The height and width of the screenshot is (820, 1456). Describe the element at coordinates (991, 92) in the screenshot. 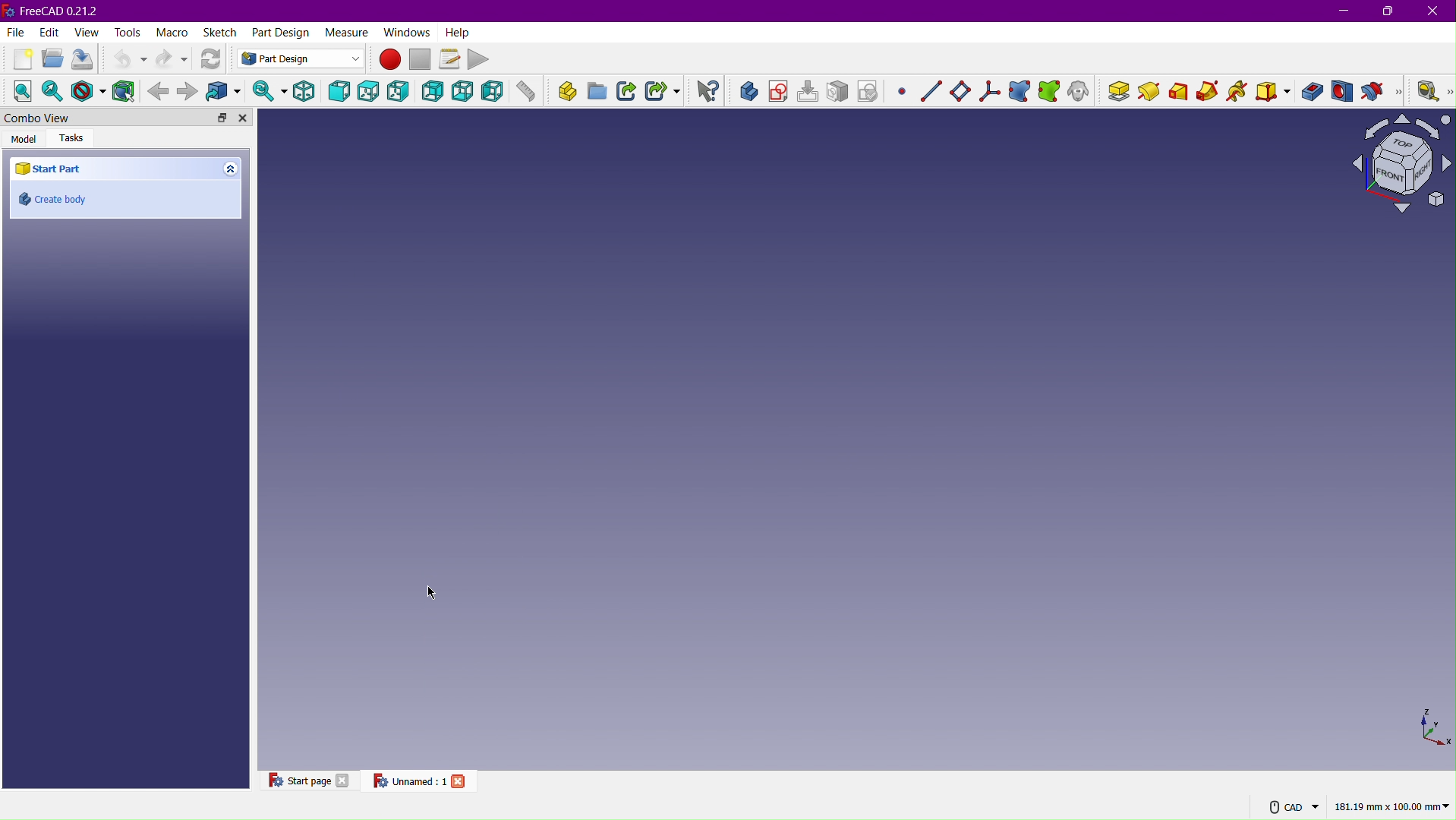

I see `Create a local coordinate system` at that location.